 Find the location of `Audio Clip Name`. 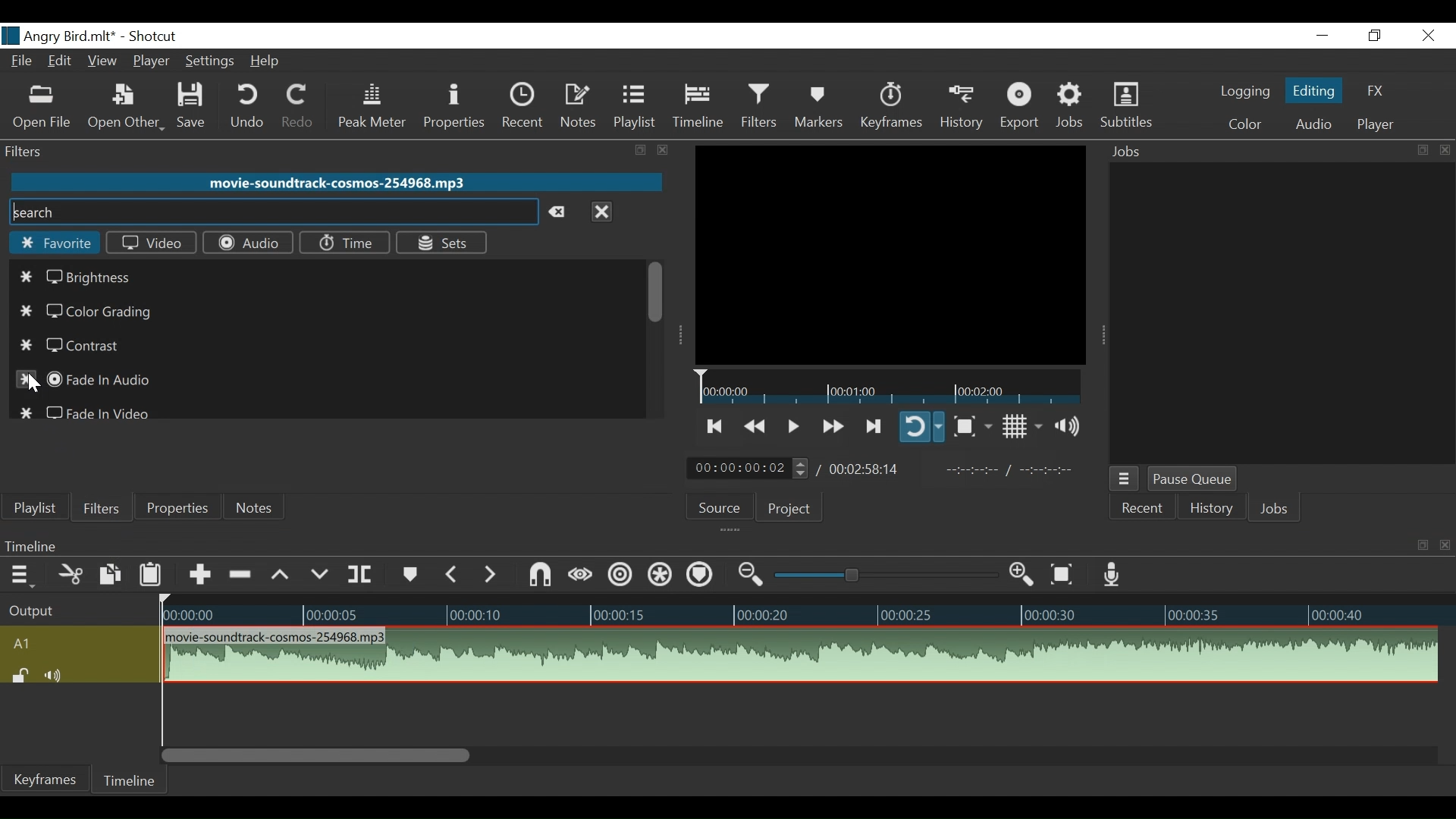

Audio Clip Name is located at coordinates (335, 182).